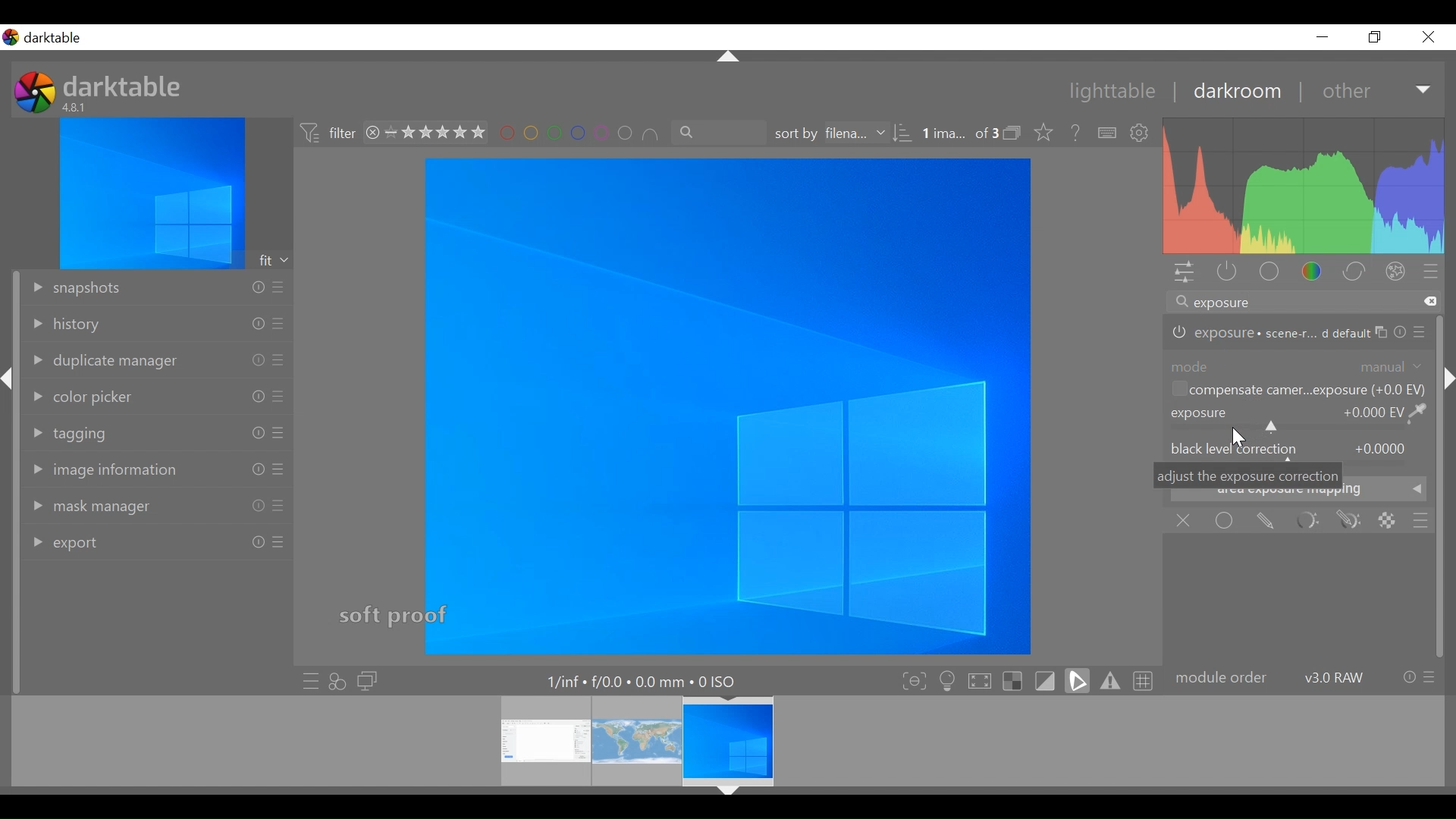 This screenshot has height=819, width=1456. Describe the element at coordinates (830, 133) in the screenshot. I see `sort by` at that location.